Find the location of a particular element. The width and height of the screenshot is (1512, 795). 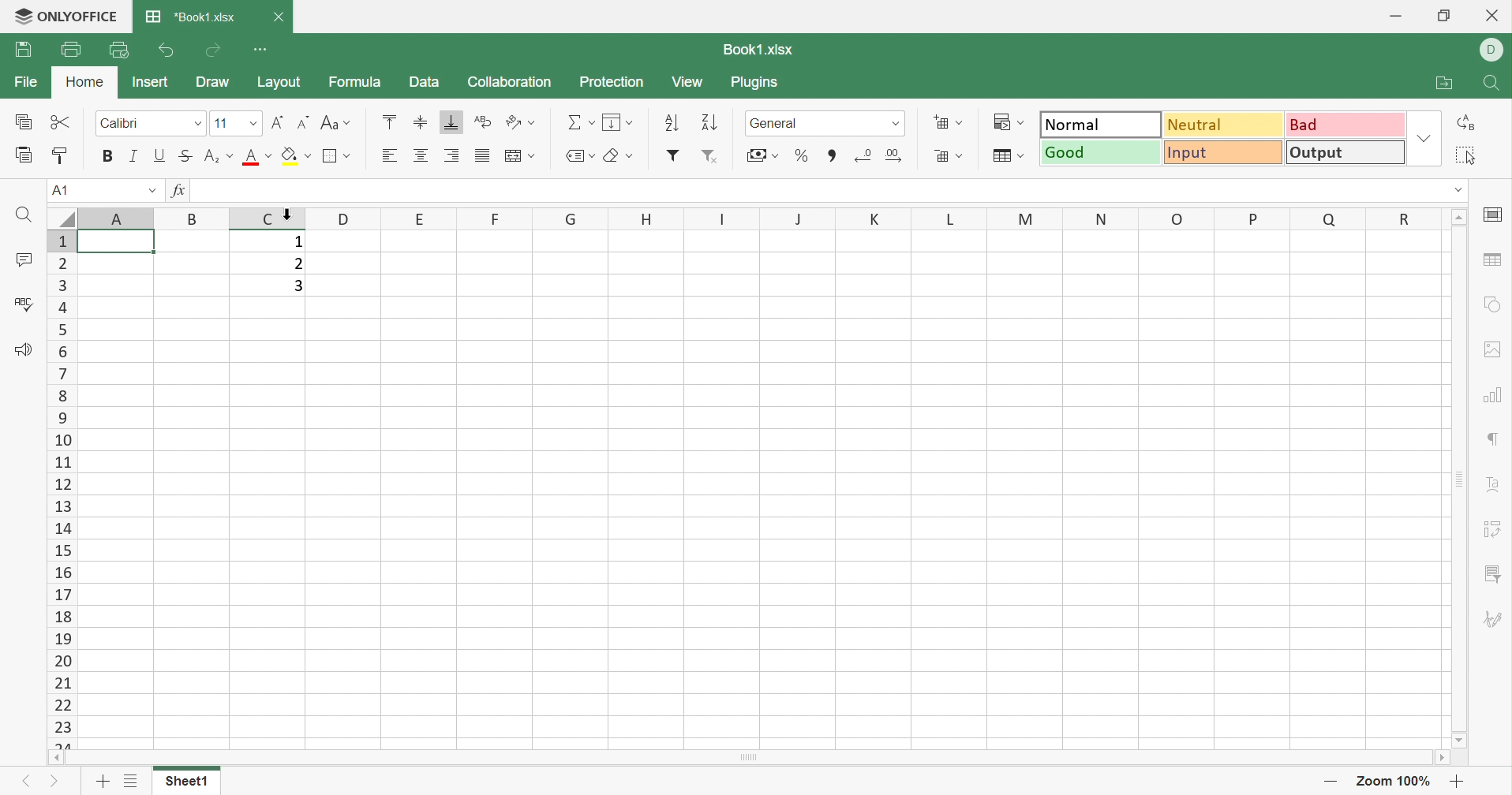

Table settings is located at coordinates (1495, 259).